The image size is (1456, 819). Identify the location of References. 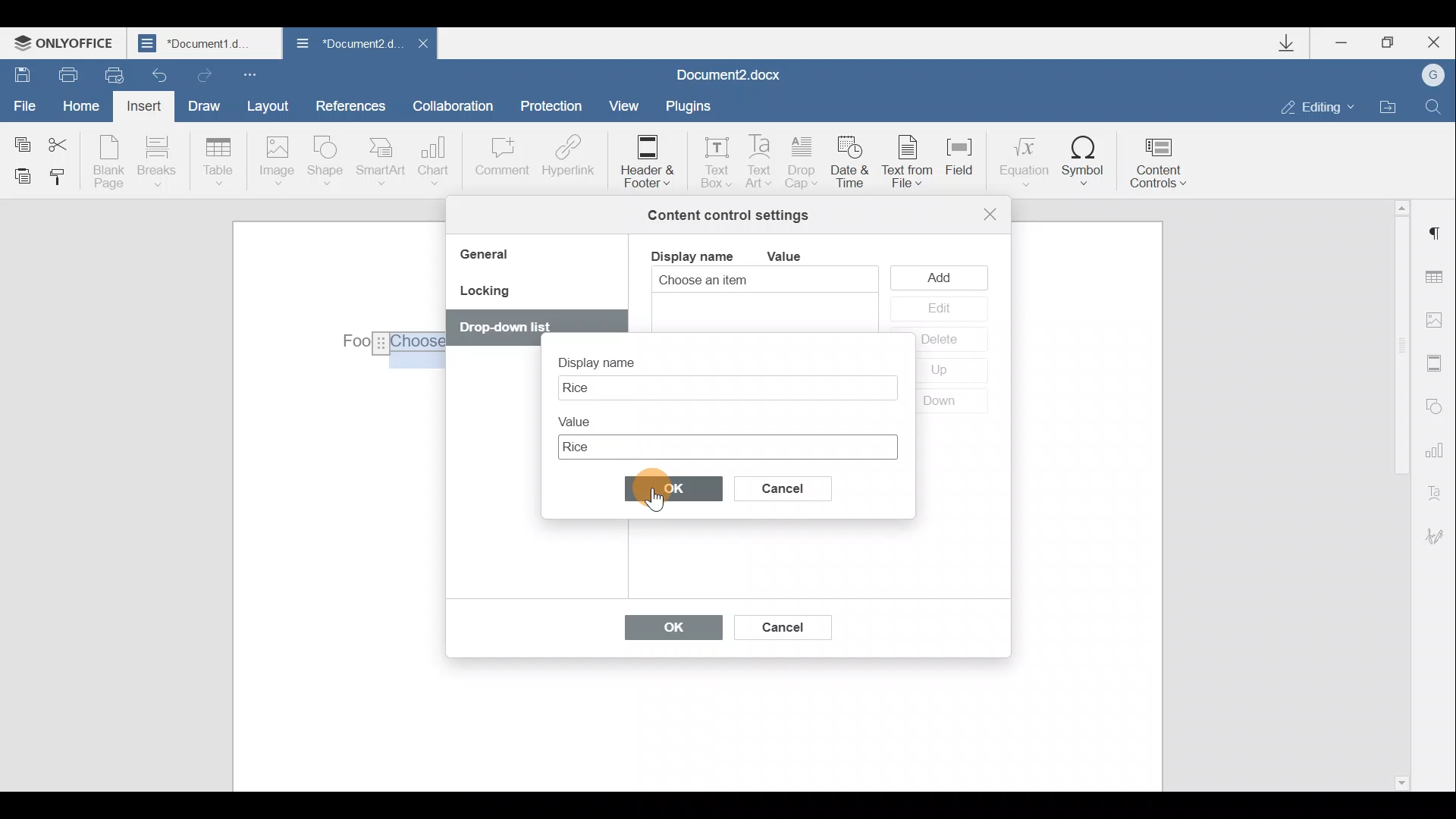
(350, 104).